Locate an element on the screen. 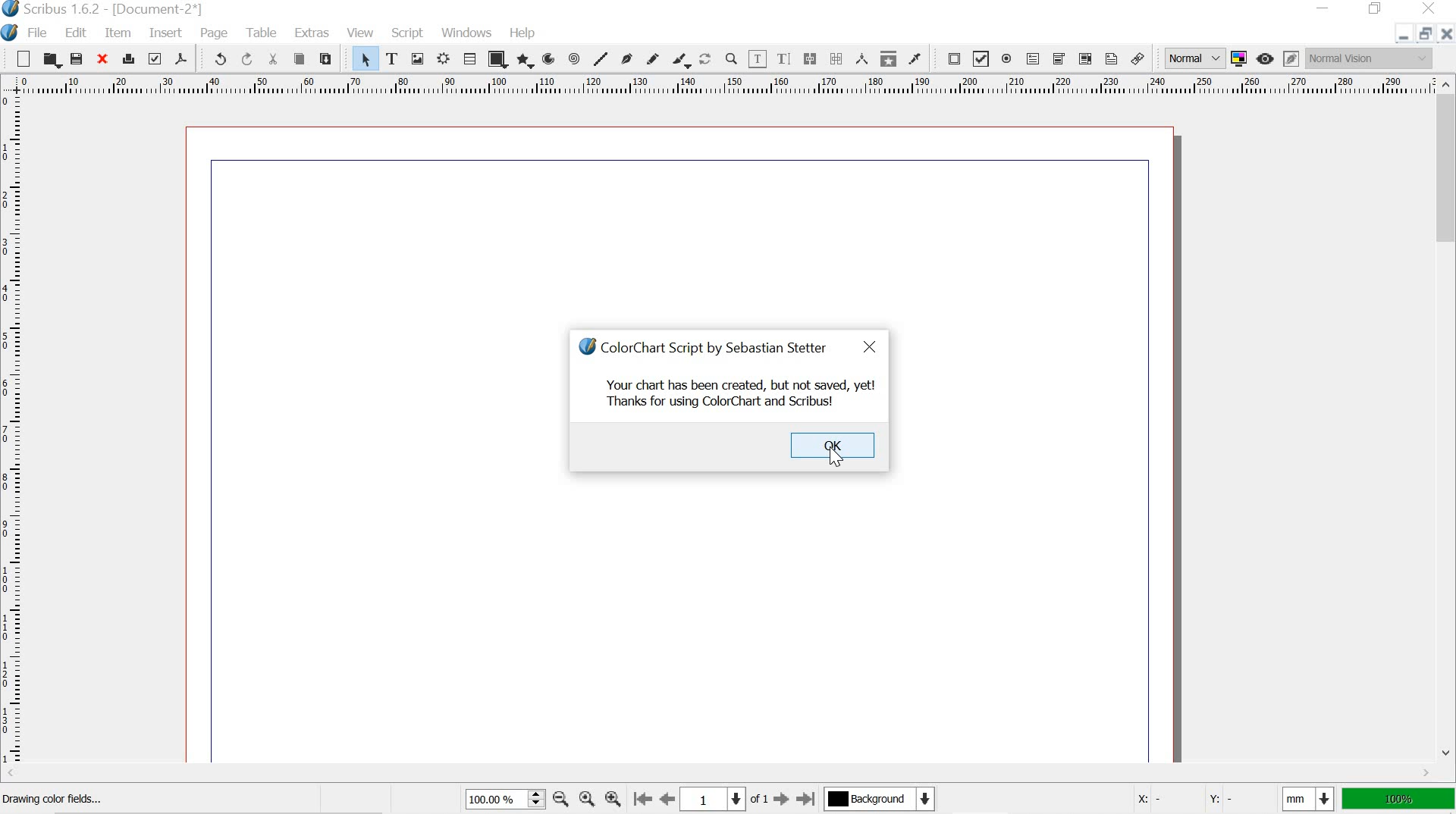  Scribis logo is located at coordinates (585, 343).